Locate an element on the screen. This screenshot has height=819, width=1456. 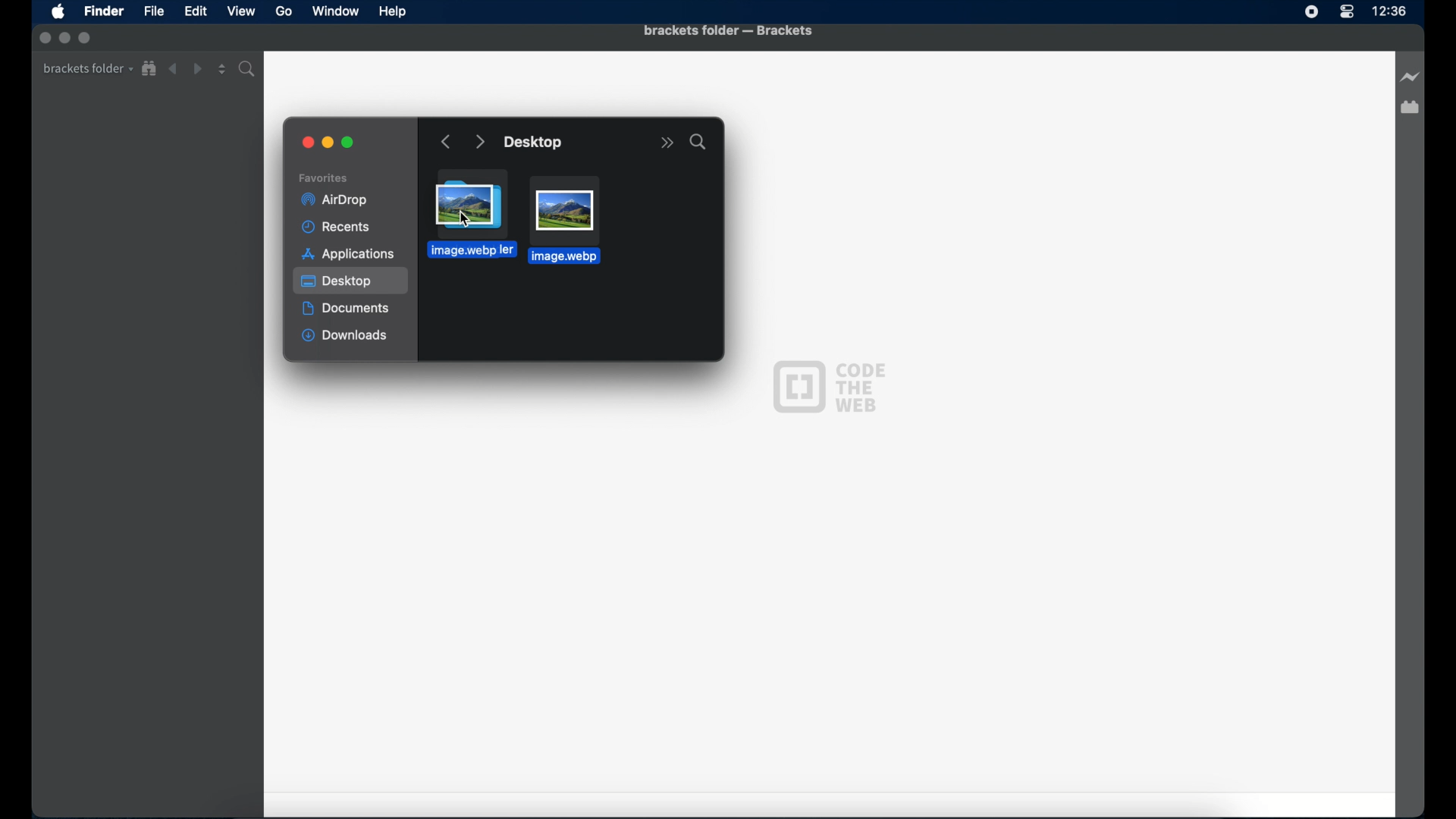
time is located at coordinates (1389, 11).